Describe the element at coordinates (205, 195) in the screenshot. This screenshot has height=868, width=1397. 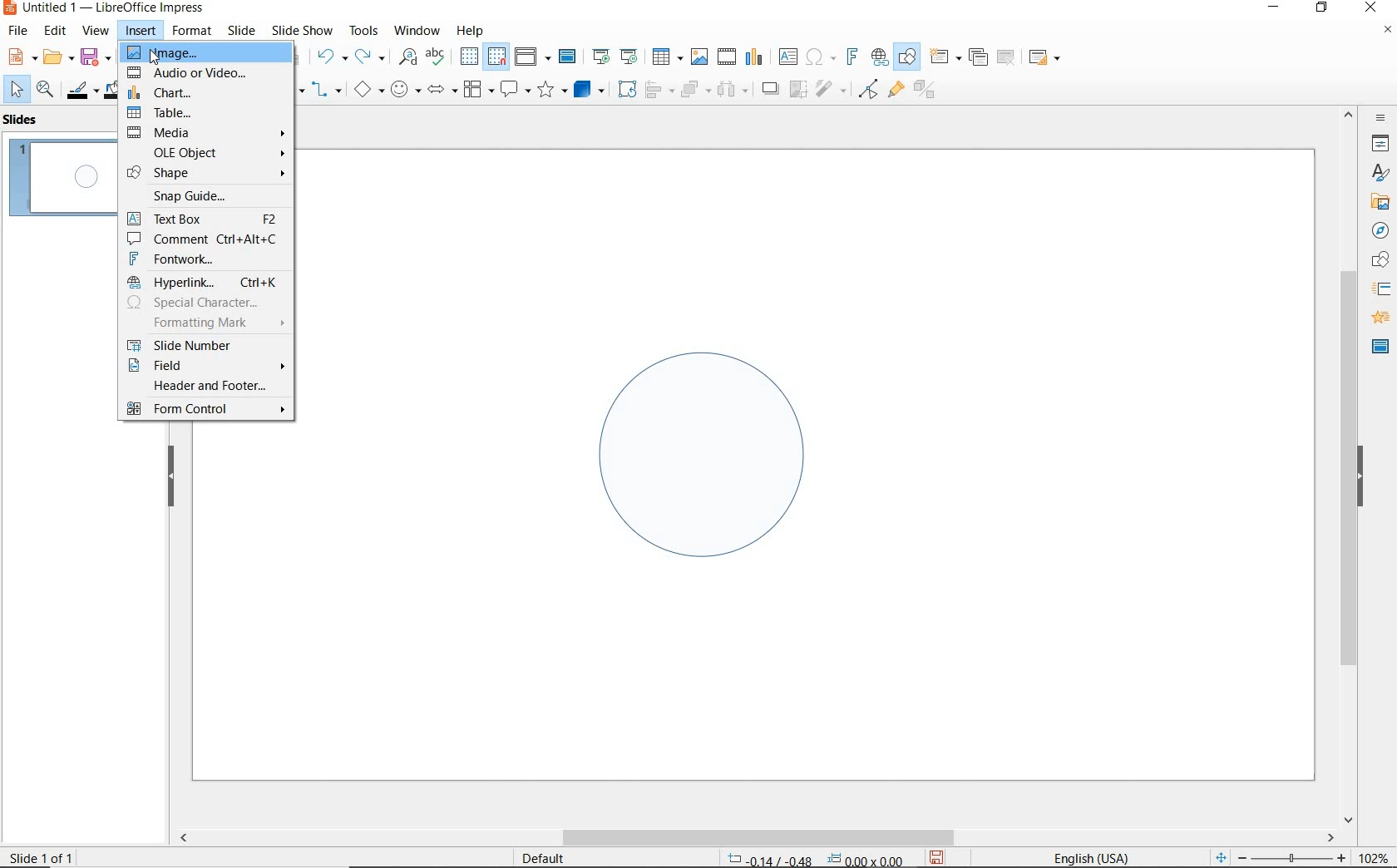
I see `SNAP GUIDE` at that location.